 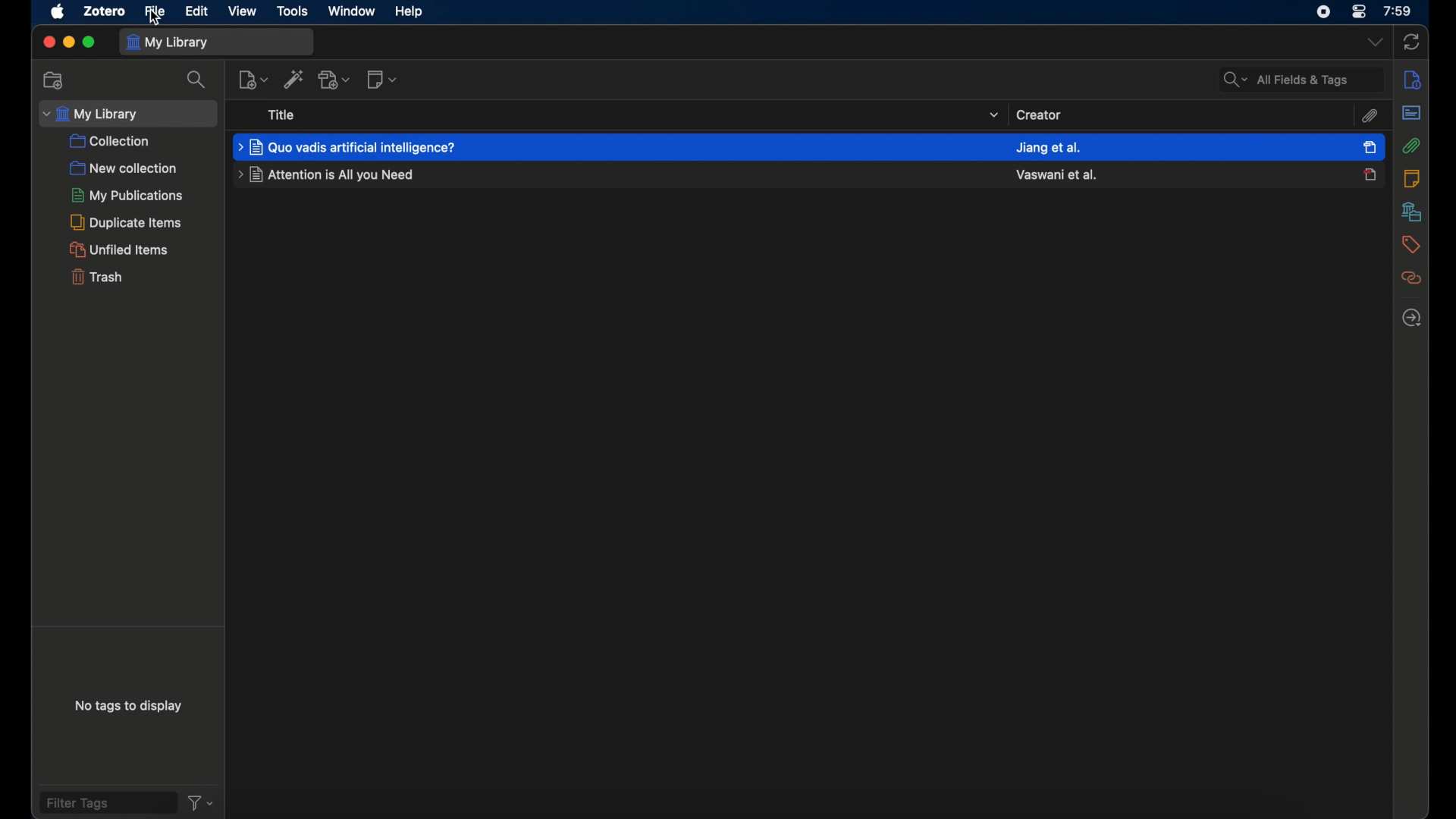 I want to click on zotero, so click(x=102, y=11).